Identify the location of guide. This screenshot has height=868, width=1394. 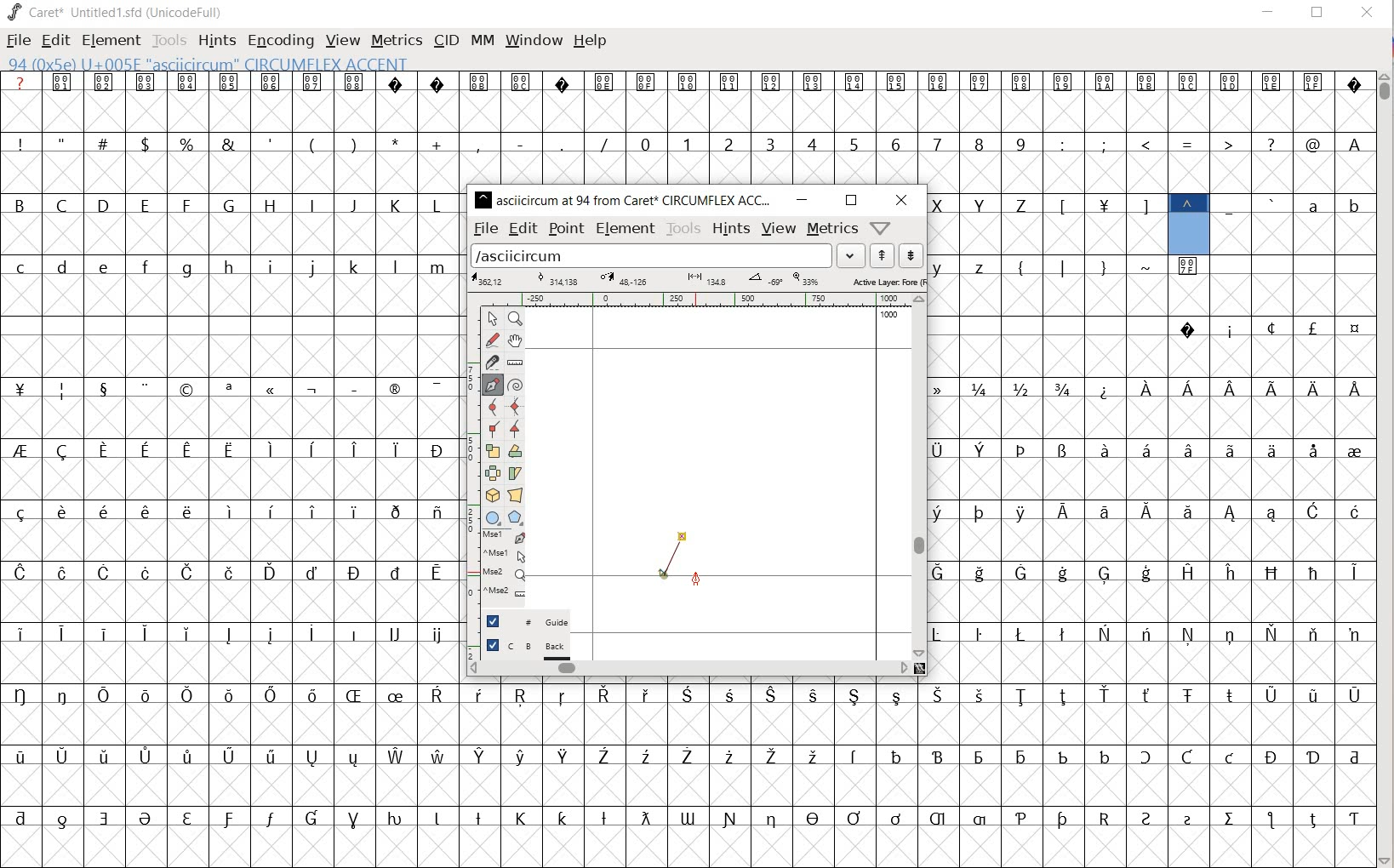
(528, 621).